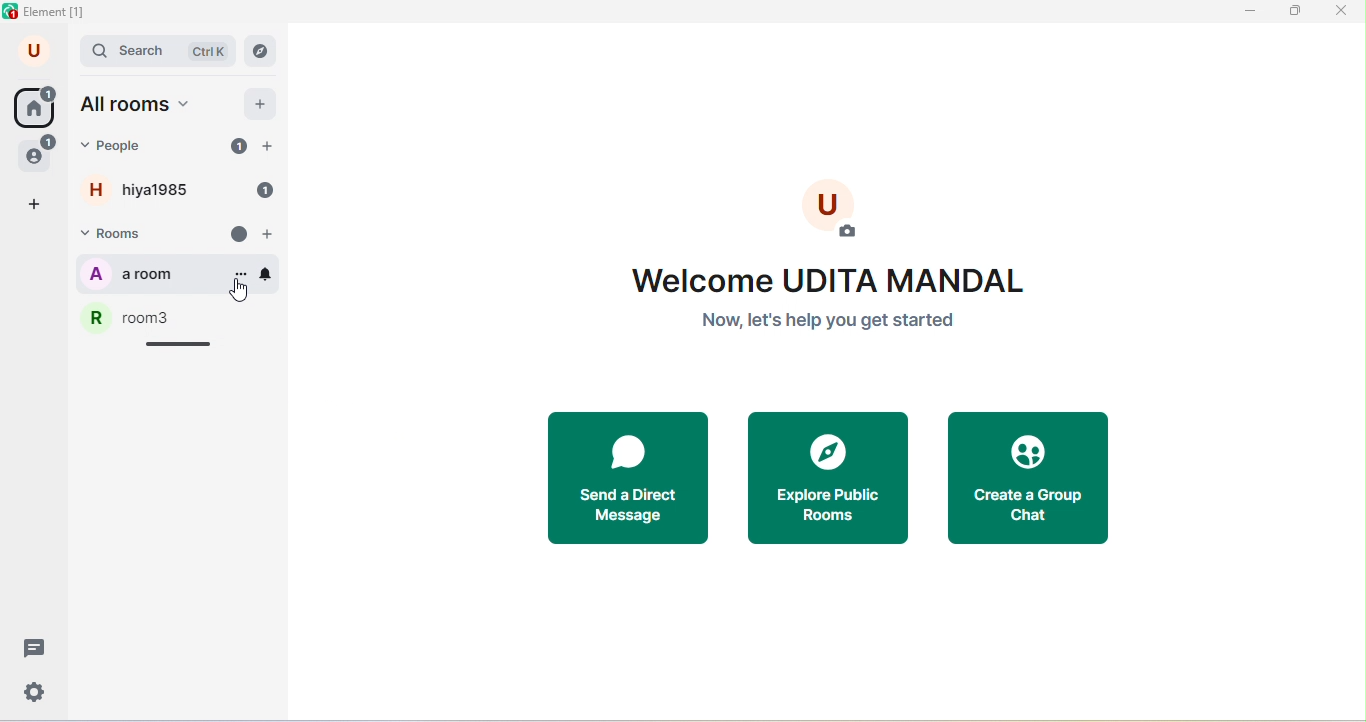 The width and height of the screenshot is (1366, 722). Describe the element at coordinates (36, 692) in the screenshot. I see `quick settings` at that location.